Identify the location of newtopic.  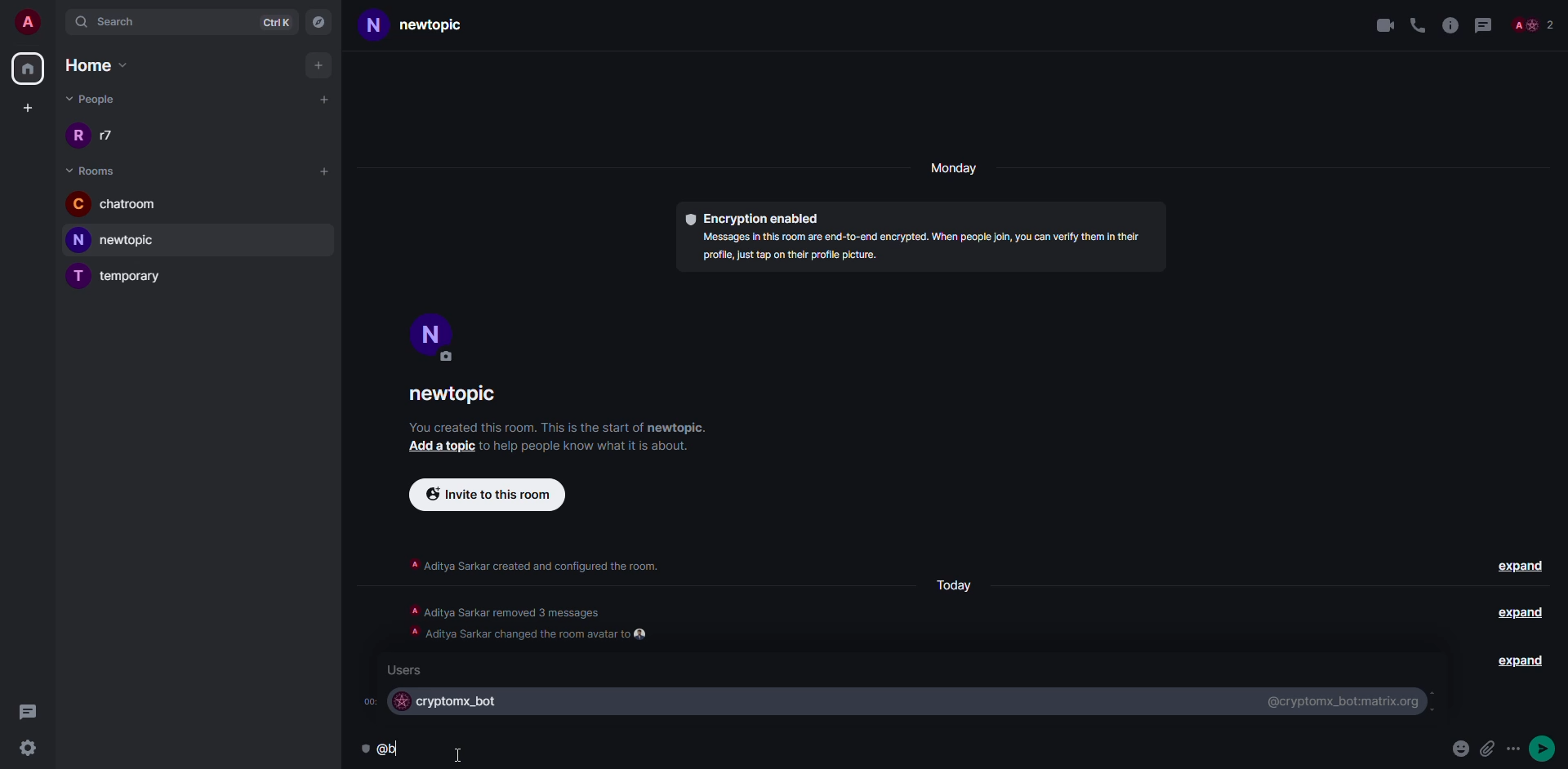
(434, 26).